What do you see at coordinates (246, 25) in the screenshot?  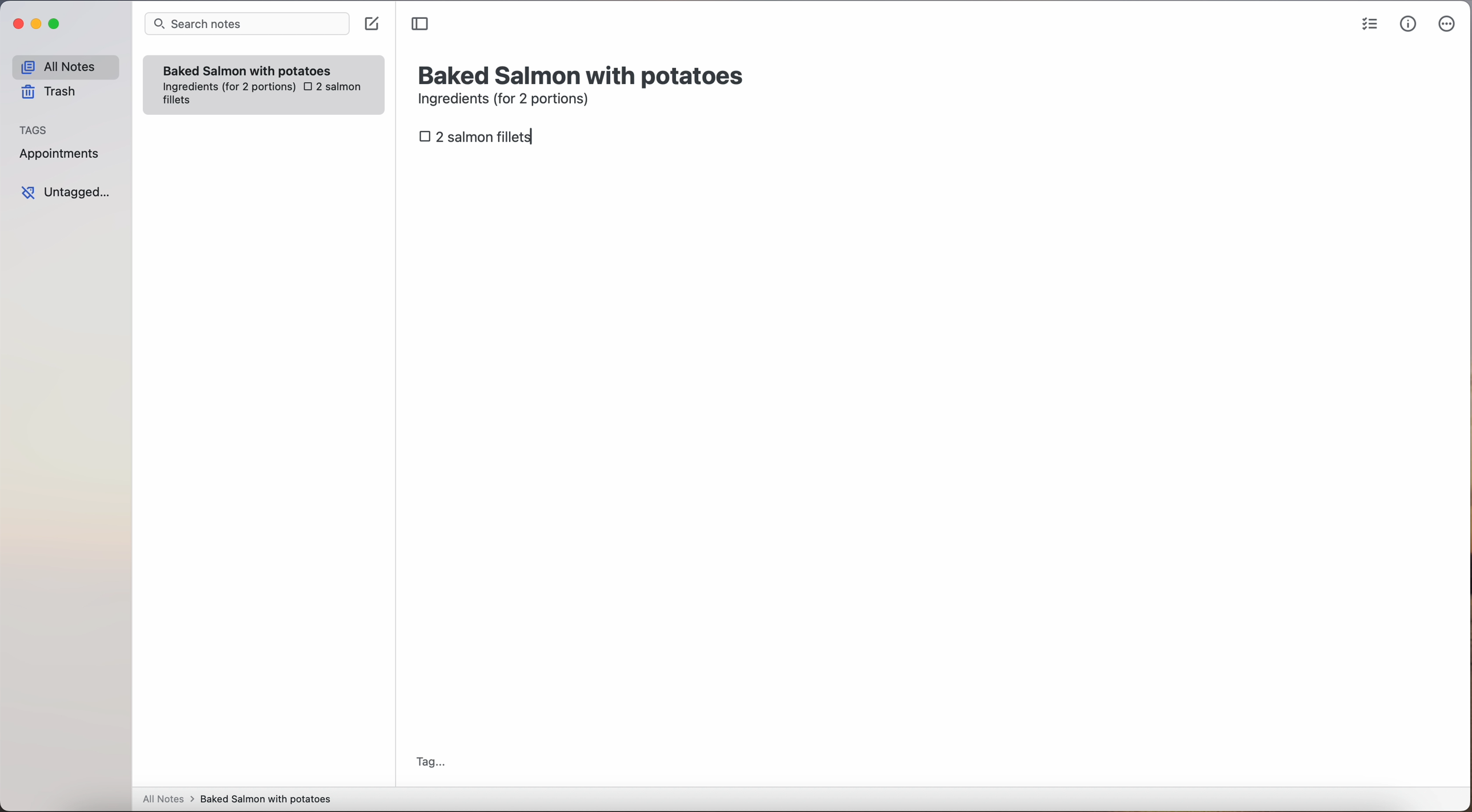 I see `search bar` at bounding box center [246, 25].